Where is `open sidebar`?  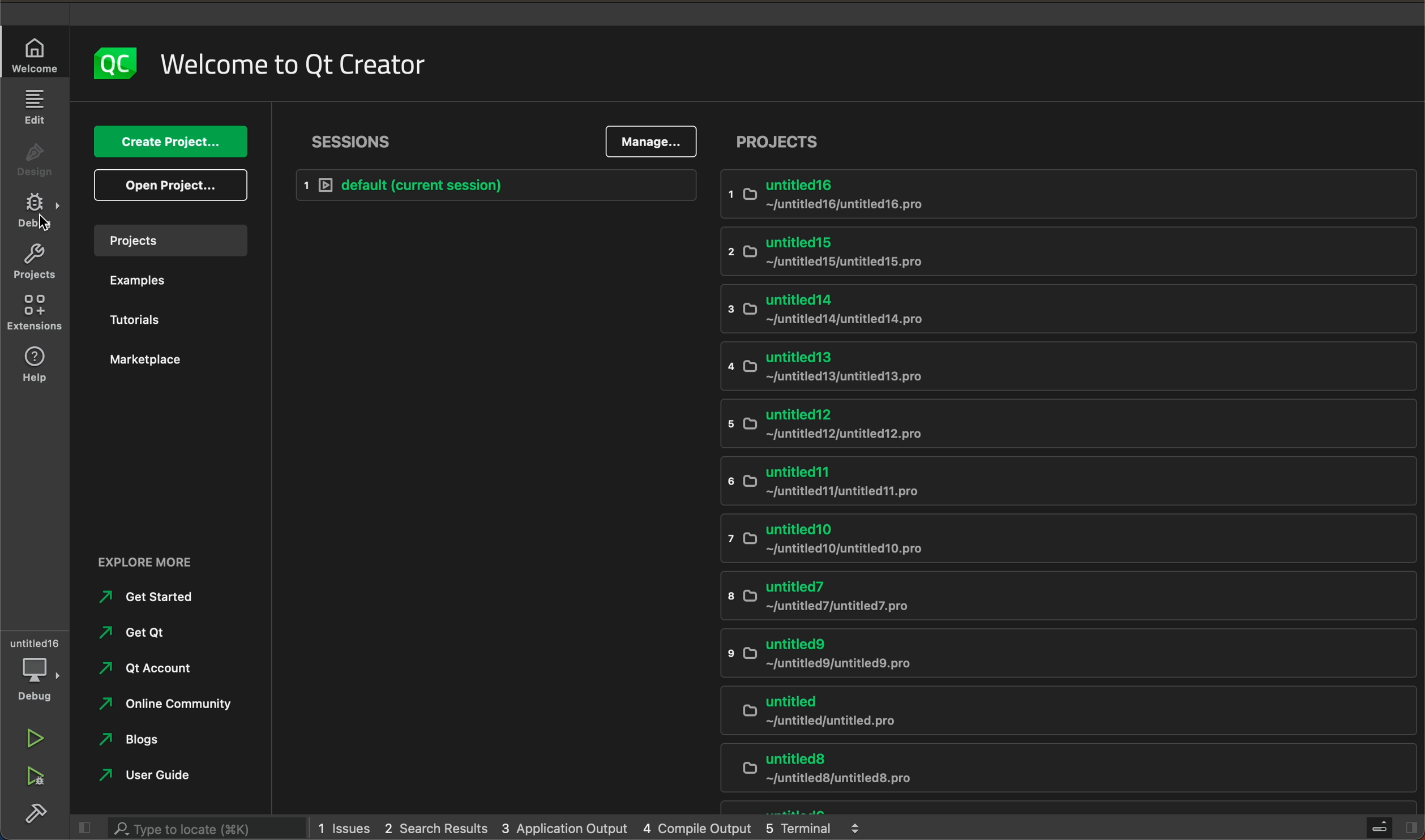 open sidebar is located at coordinates (1389, 824).